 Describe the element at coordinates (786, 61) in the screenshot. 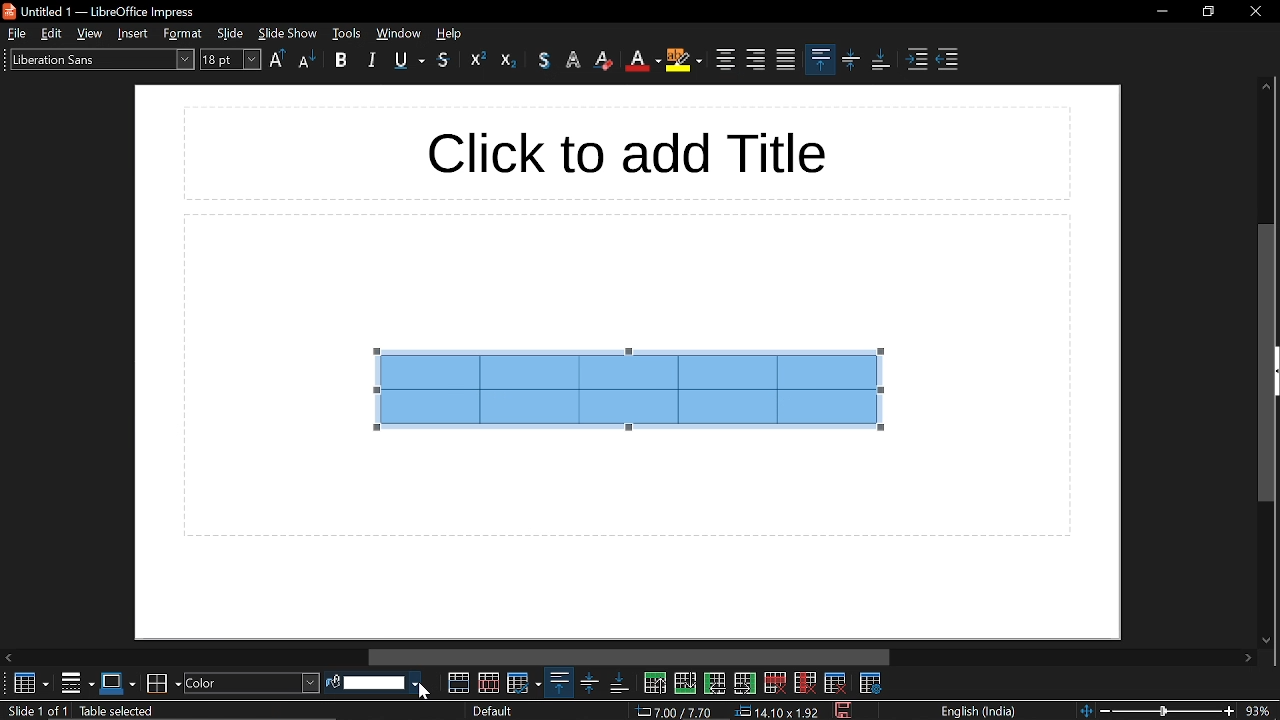

I see `justified` at that location.